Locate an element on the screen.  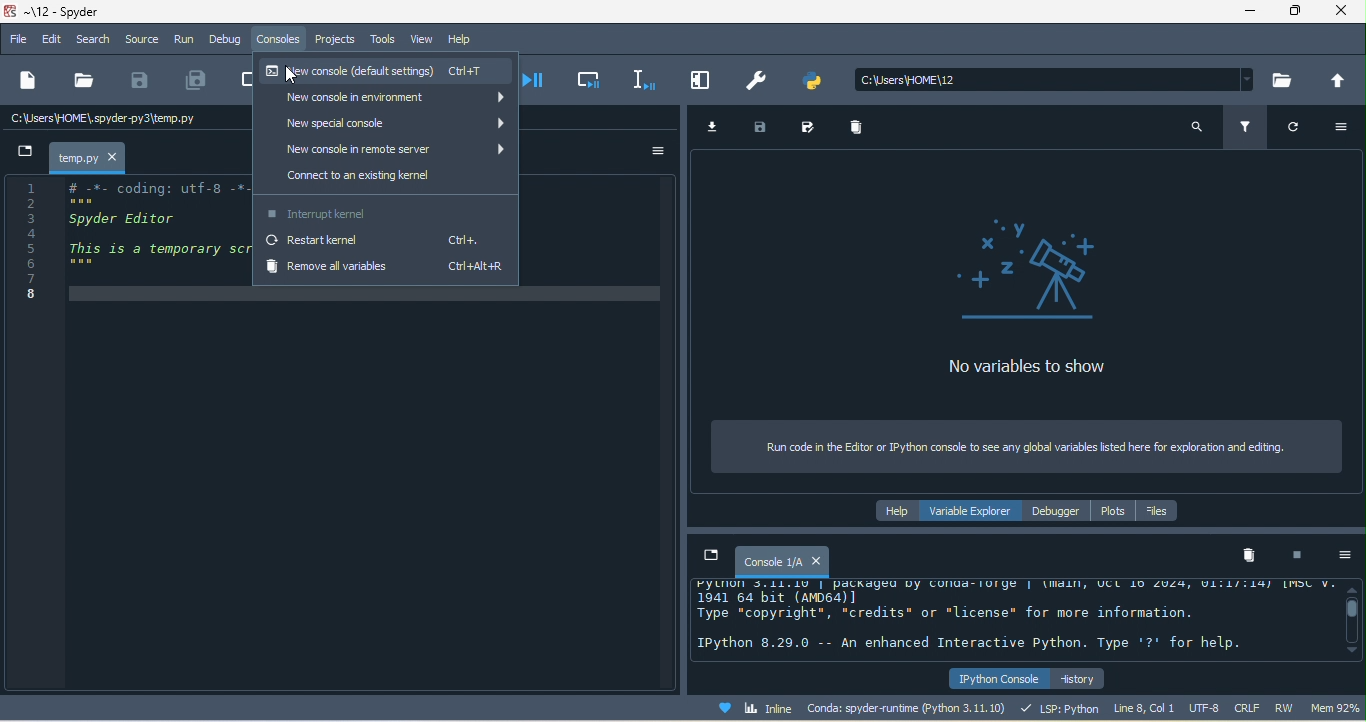
open is located at coordinates (83, 84).